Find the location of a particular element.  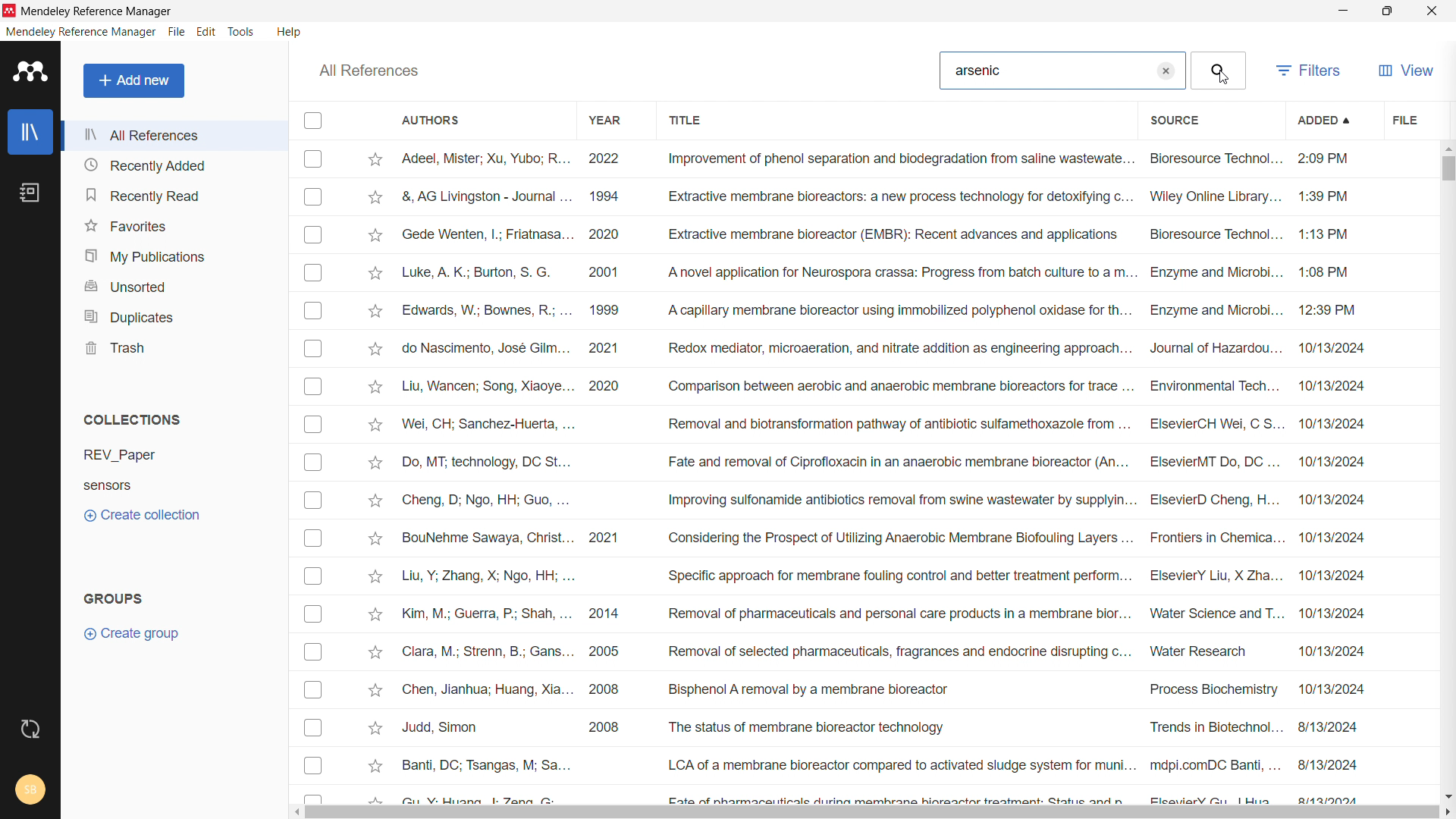

duplicates is located at coordinates (174, 316).